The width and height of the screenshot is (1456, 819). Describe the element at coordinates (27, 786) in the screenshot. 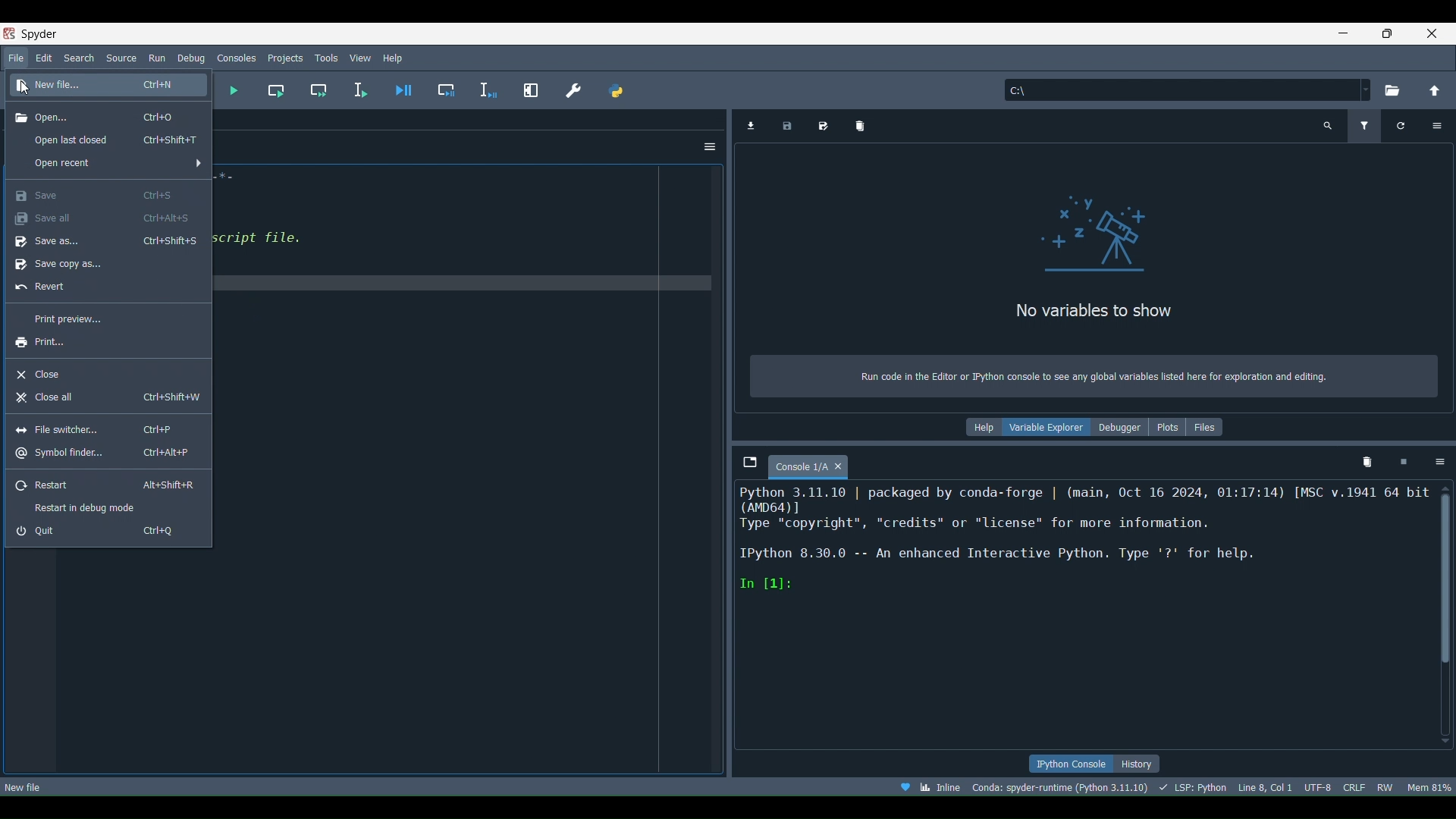

I see `New file` at that location.